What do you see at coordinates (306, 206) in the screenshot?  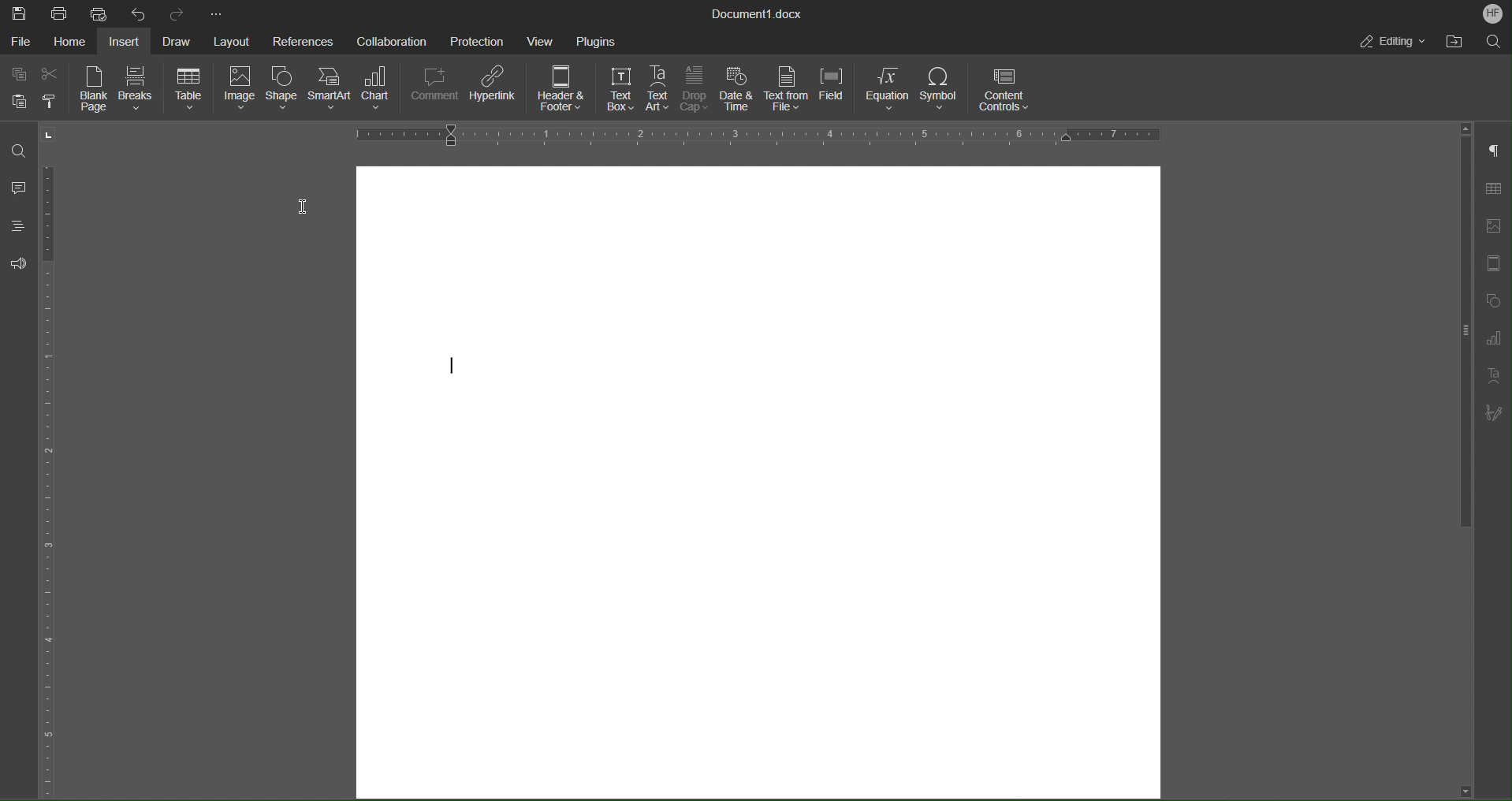 I see `Cursor` at bounding box center [306, 206].